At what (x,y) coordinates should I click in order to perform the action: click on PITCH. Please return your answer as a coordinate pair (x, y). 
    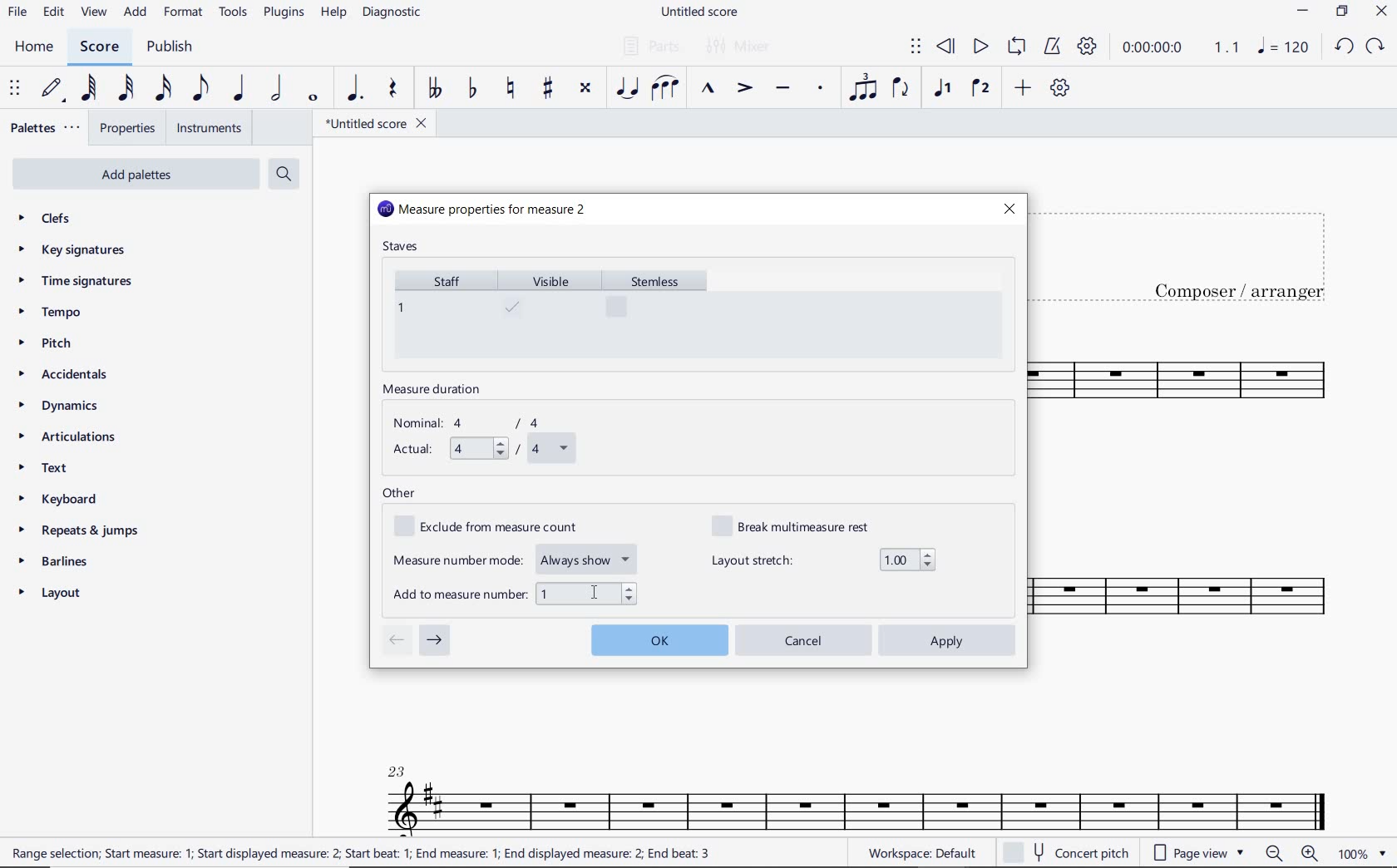
    Looking at the image, I should click on (61, 343).